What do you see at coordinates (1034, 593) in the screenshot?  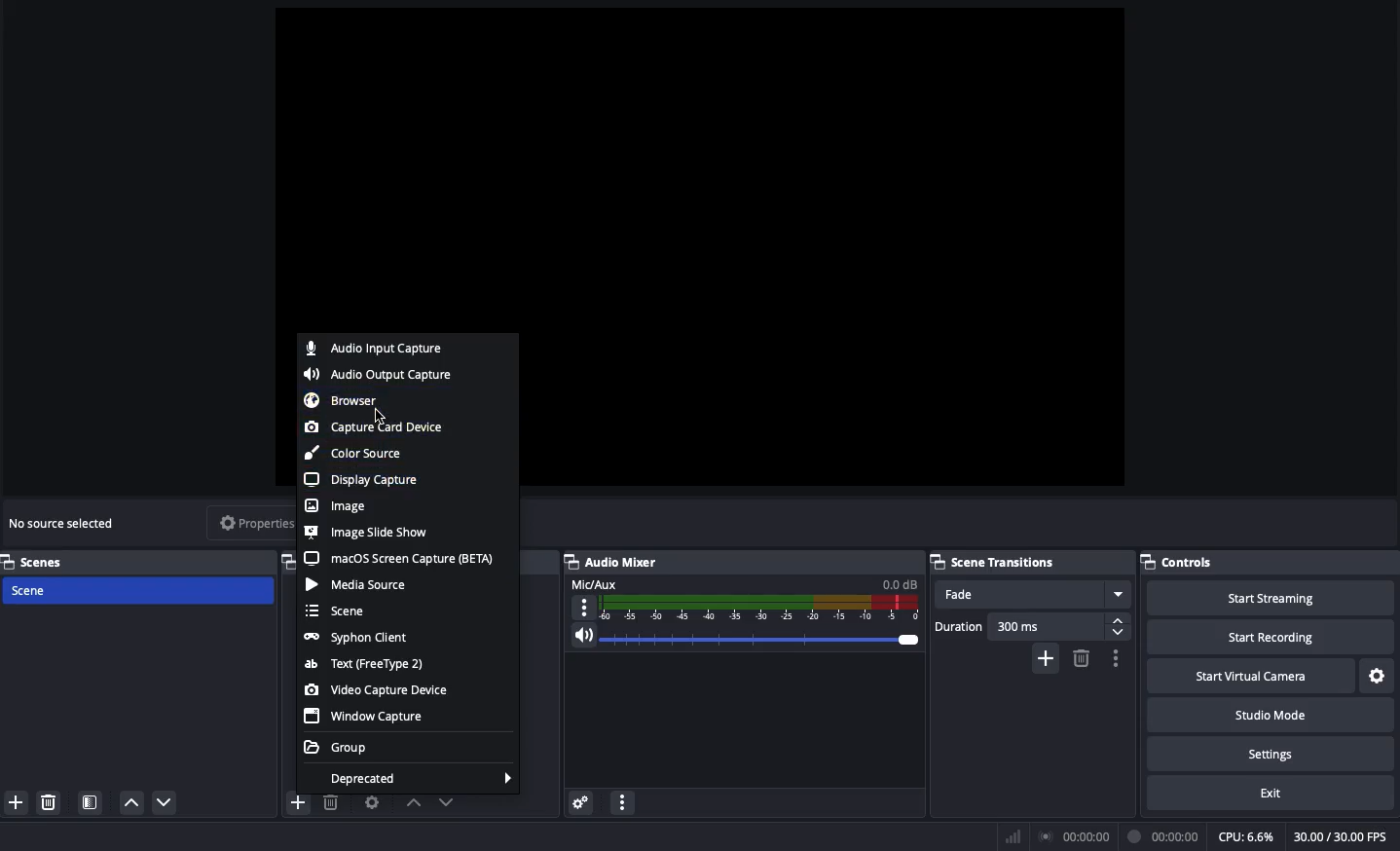 I see `Fade` at bounding box center [1034, 593].